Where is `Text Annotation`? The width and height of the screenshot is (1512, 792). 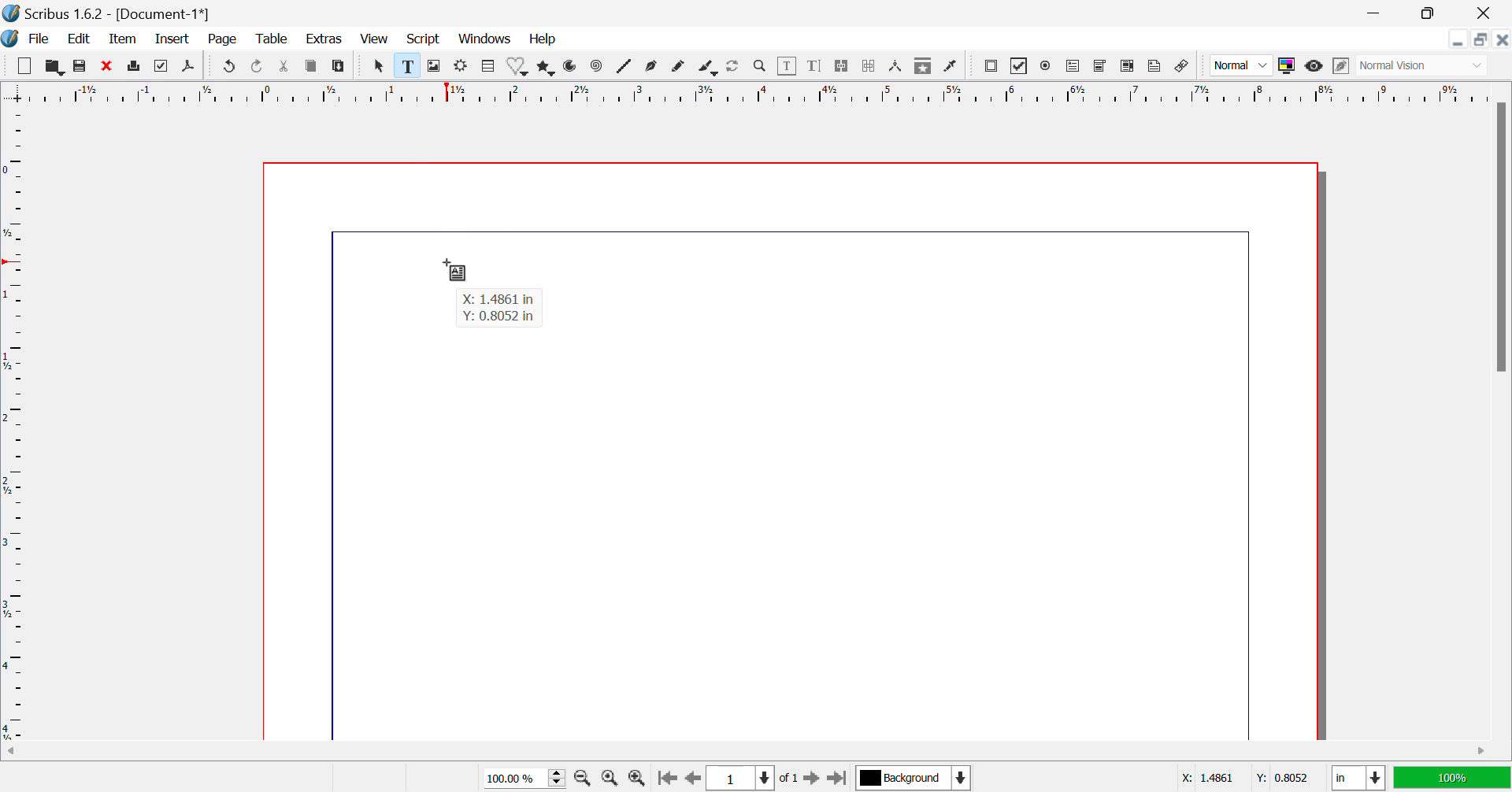 Text Annotation is located at coordinates (1156, 67).